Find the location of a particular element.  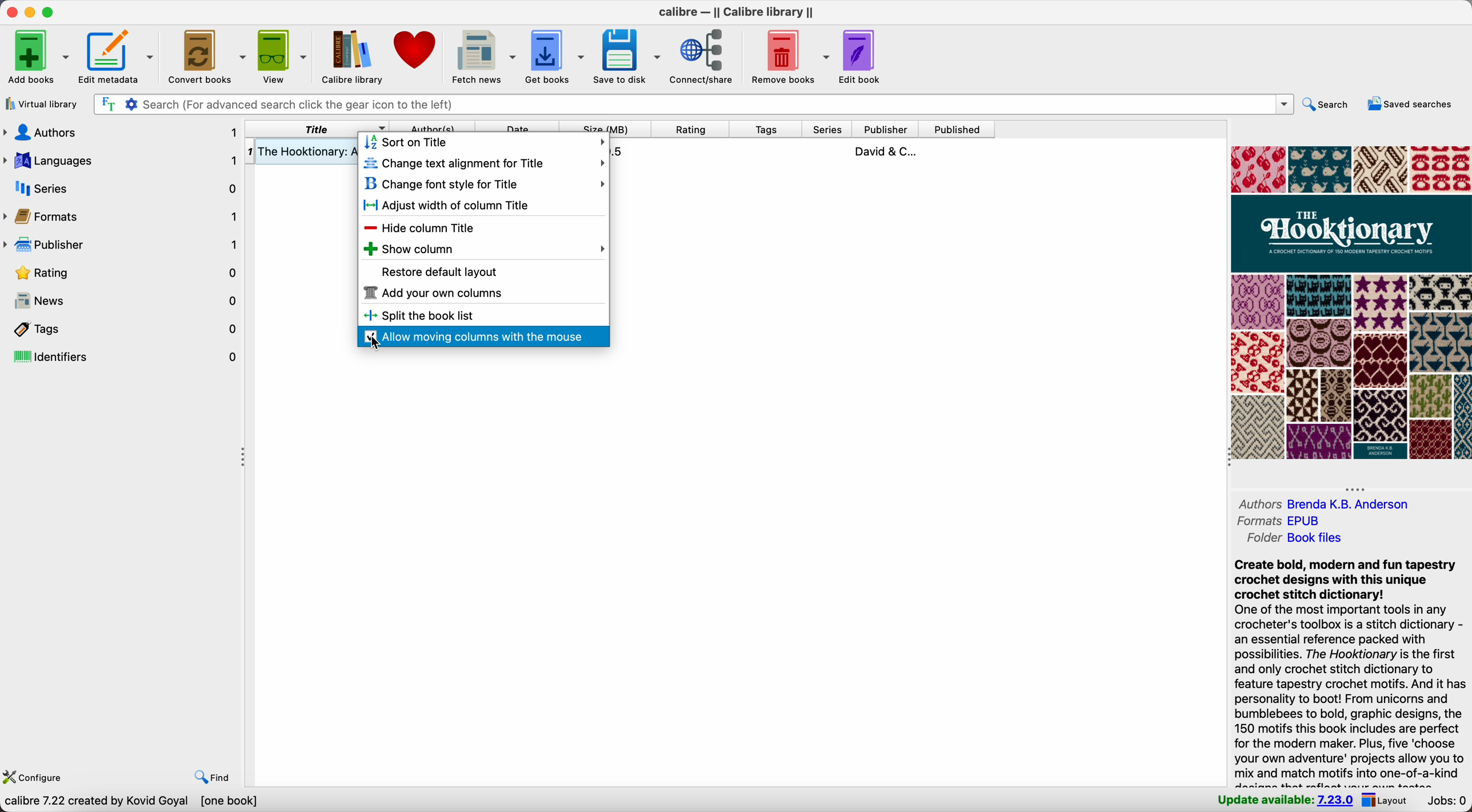

get books is located at coordinates (555, 54).